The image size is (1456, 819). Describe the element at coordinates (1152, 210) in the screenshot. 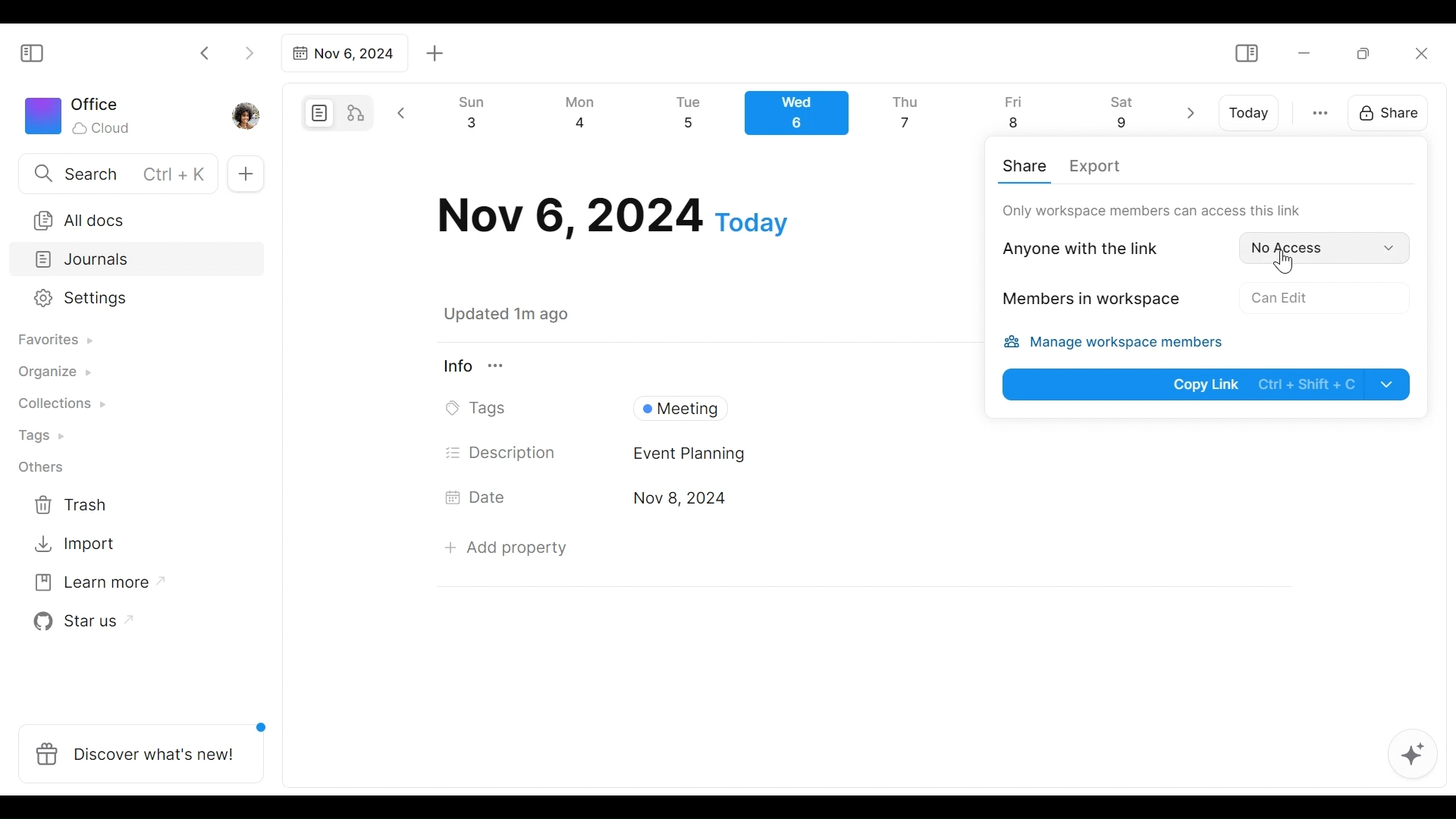

I see `Only workspace can access this link` at that location.